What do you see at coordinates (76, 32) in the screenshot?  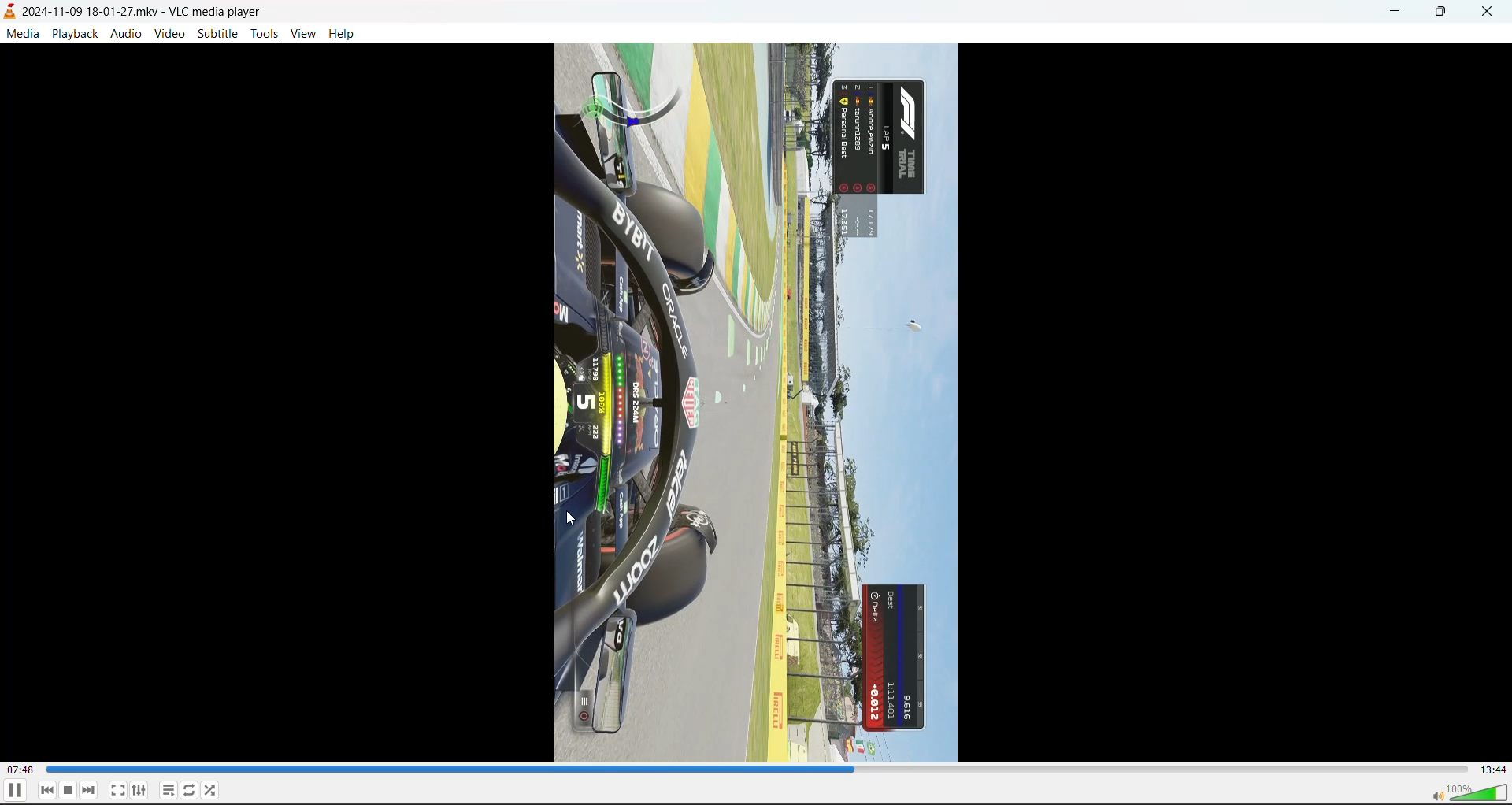 I see `playback` at bounding box center [76, 32].